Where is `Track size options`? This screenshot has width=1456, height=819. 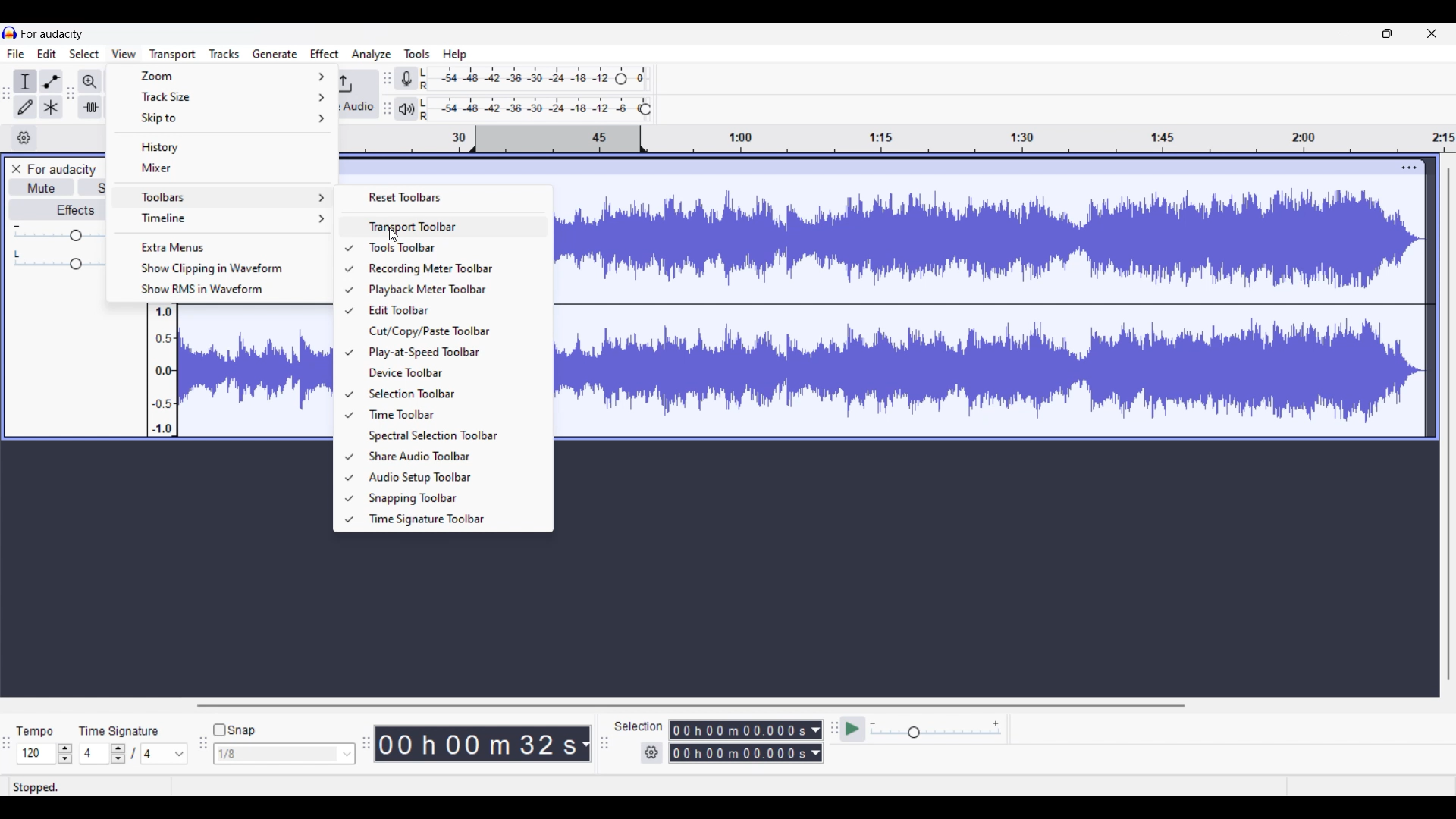 Track size options is located at coordinates (224, 96).